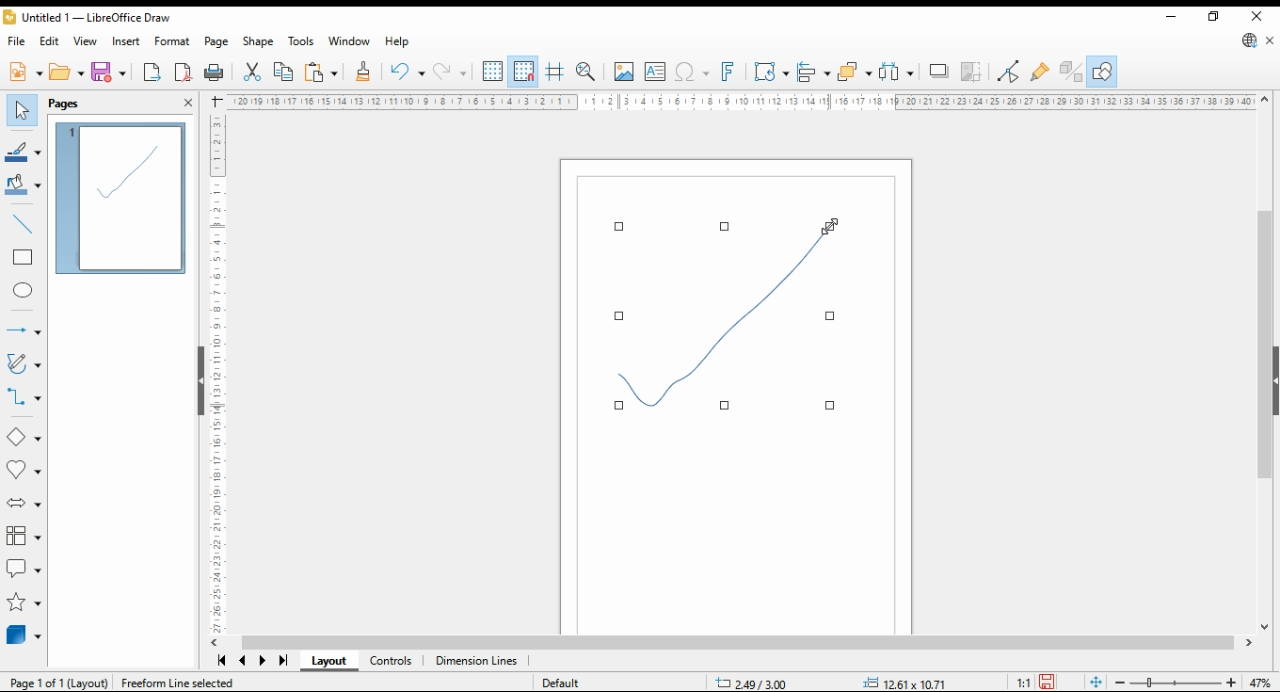 This screenshot has height=692, width=1280. What do you see at coordinates (972, 71) in the screenshot?
I see `crop image` at bounding box center [972, 71].